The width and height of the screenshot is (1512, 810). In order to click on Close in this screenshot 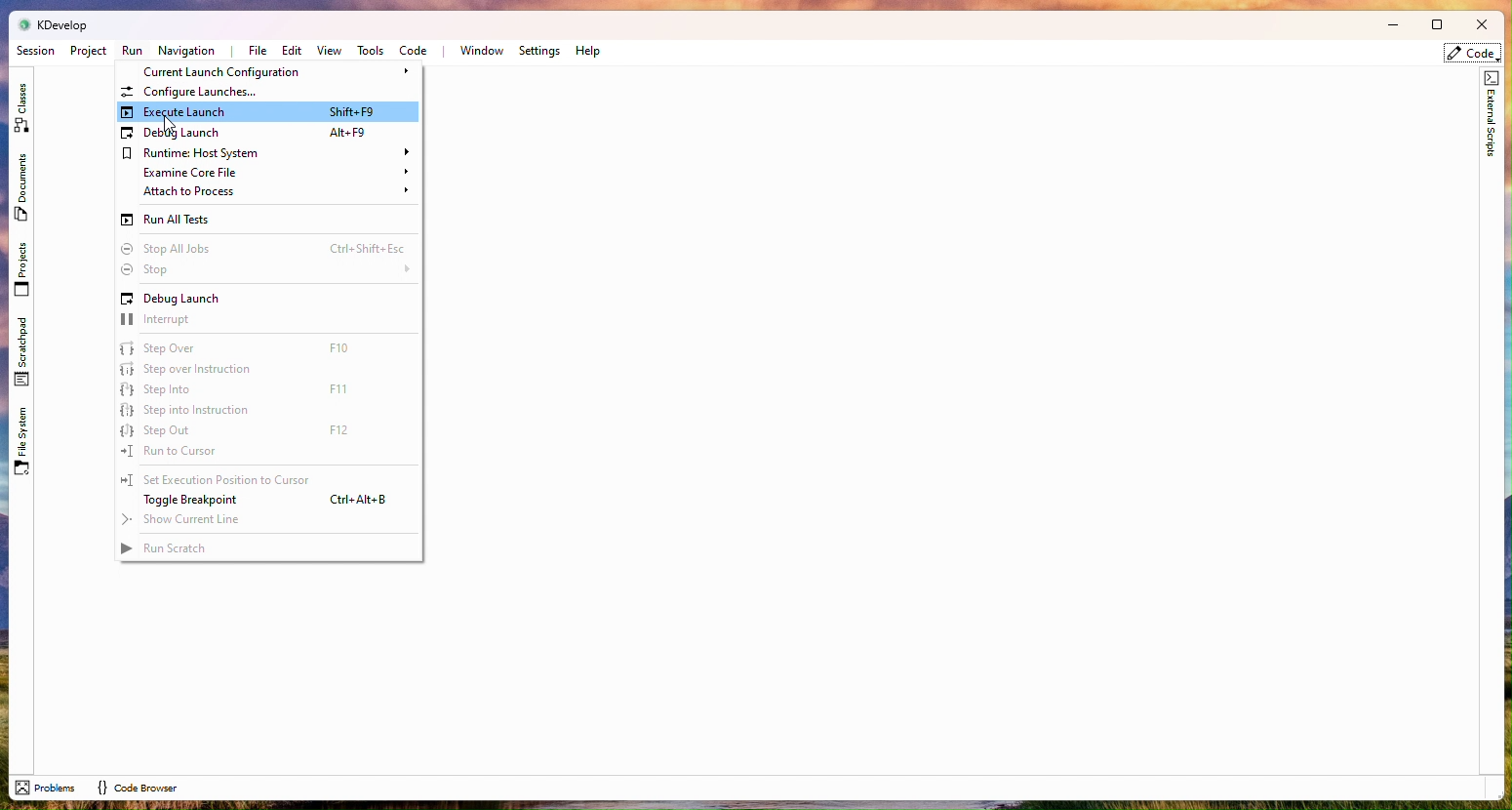, I will do `click(1480, 26)`.